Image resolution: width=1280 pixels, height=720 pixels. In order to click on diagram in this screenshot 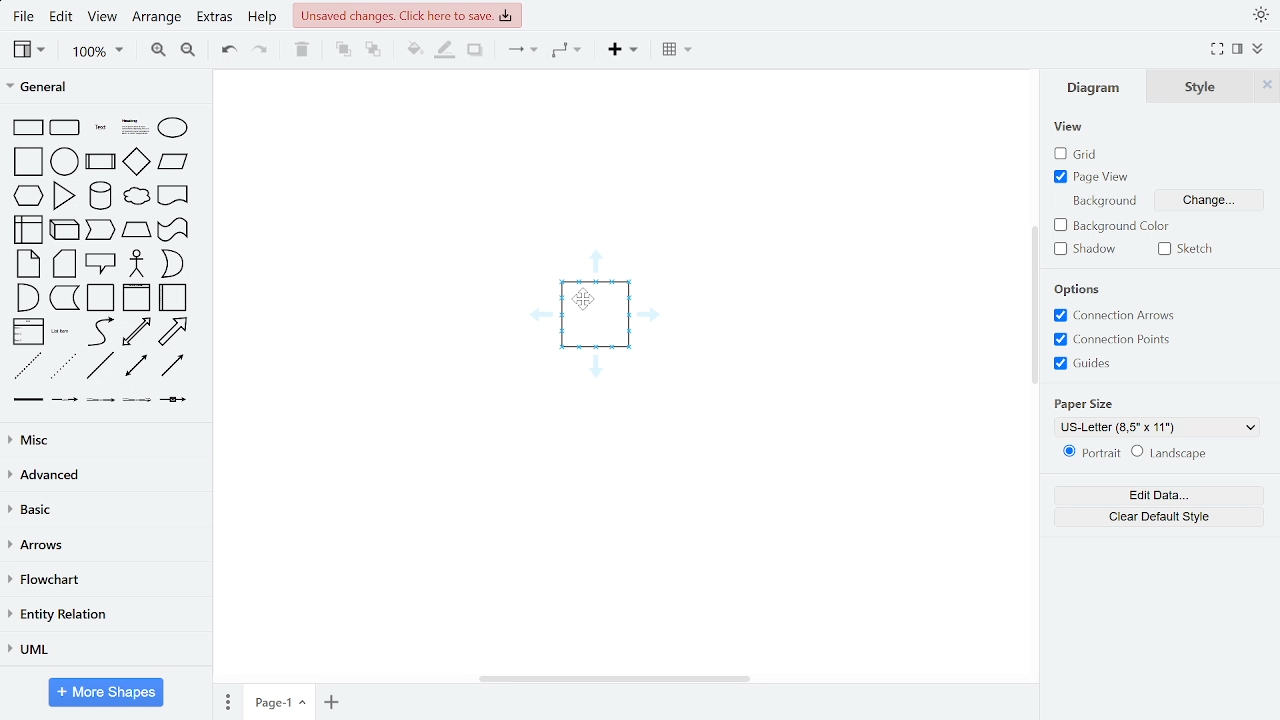, I will do `click(1094, 91)`.